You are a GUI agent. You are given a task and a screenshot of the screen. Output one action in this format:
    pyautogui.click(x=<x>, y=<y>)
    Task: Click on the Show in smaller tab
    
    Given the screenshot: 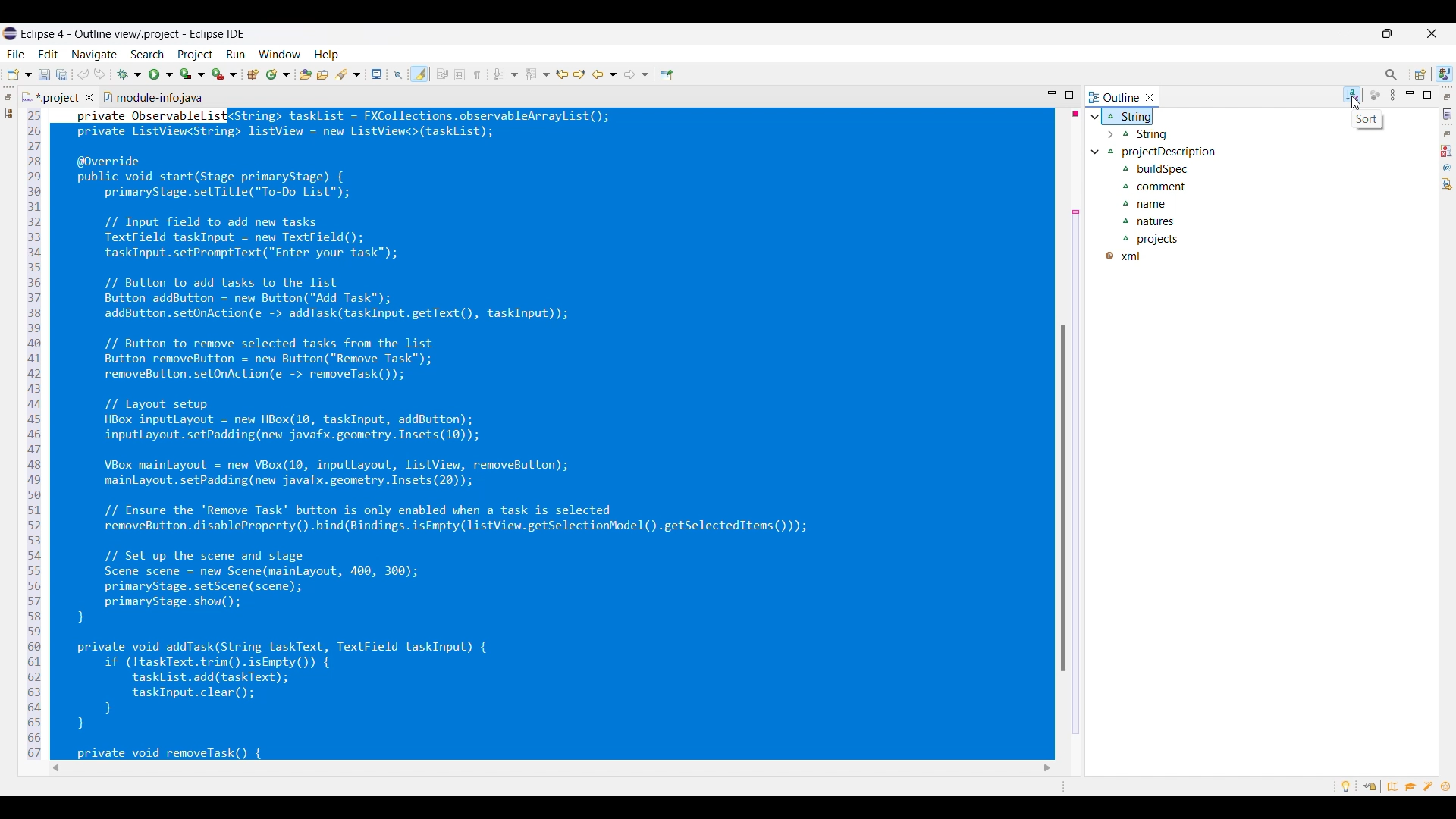 What is the action you would take?
    pyautogui.click(x=1387, y=33)
    